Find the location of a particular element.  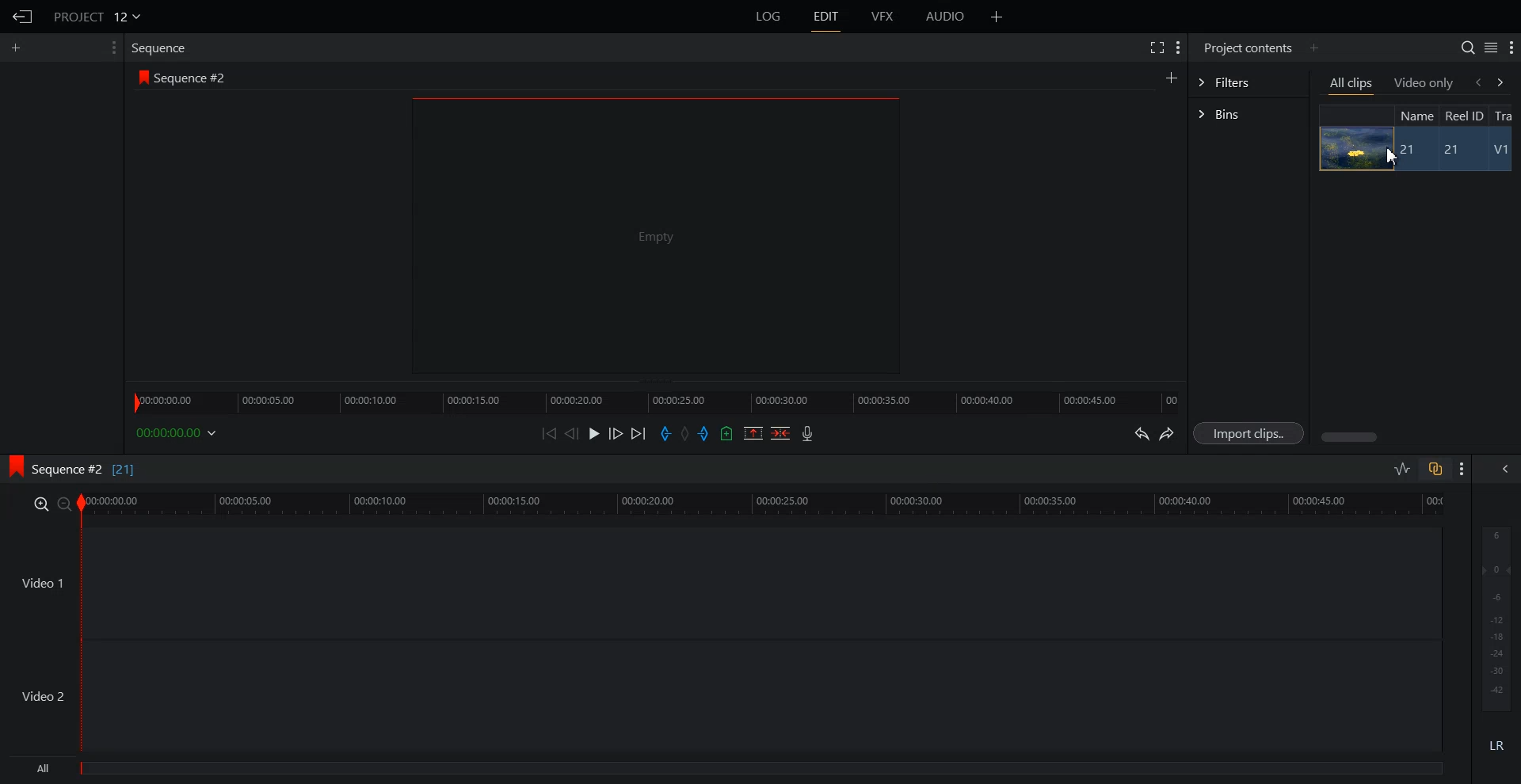

Name is located at coordinates (1415, 115).